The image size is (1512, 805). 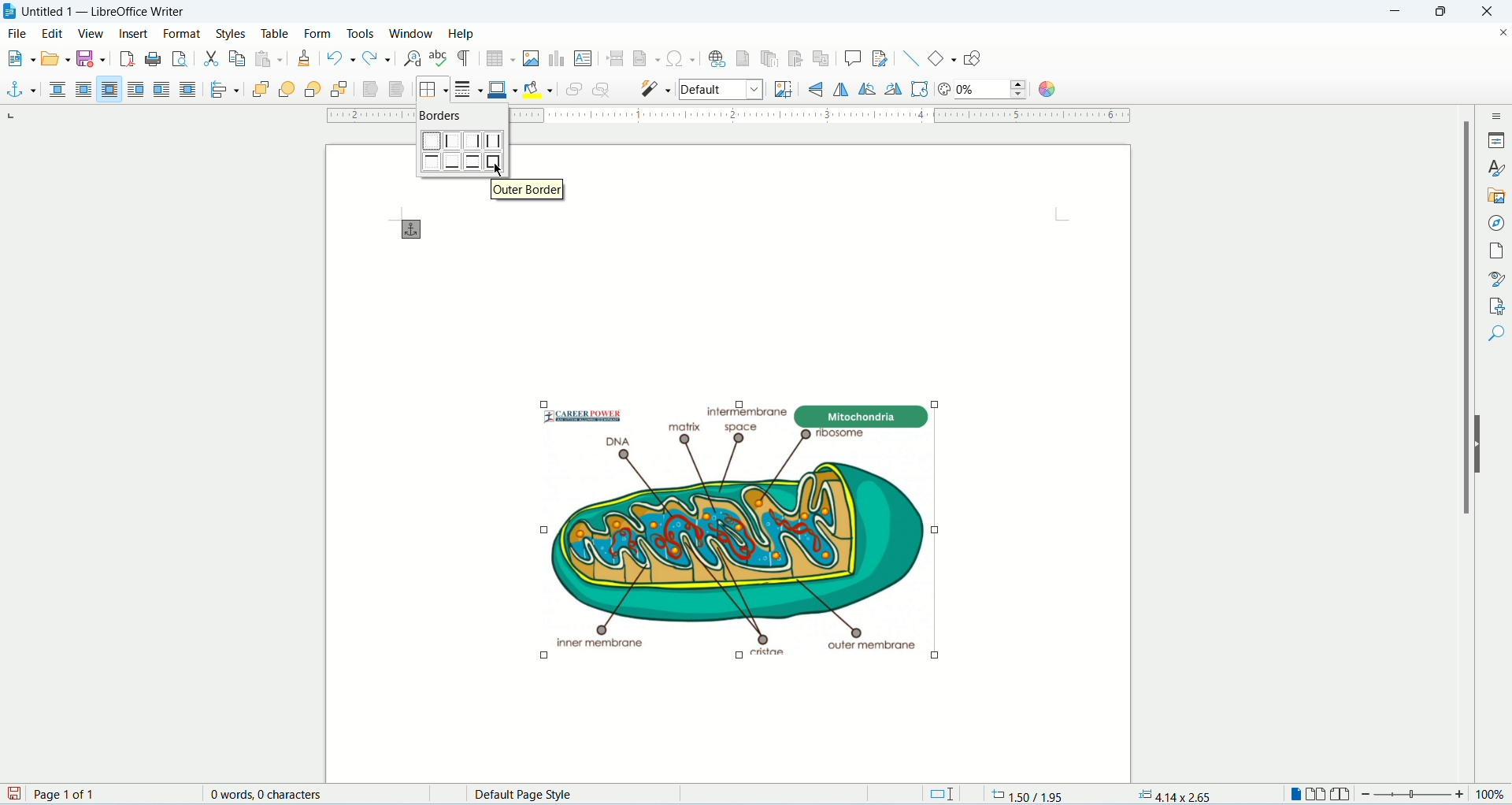 What do you see at coordinates (493, 141) in the screenshot?
I see `left and right border` at bounding box center [493, 141].